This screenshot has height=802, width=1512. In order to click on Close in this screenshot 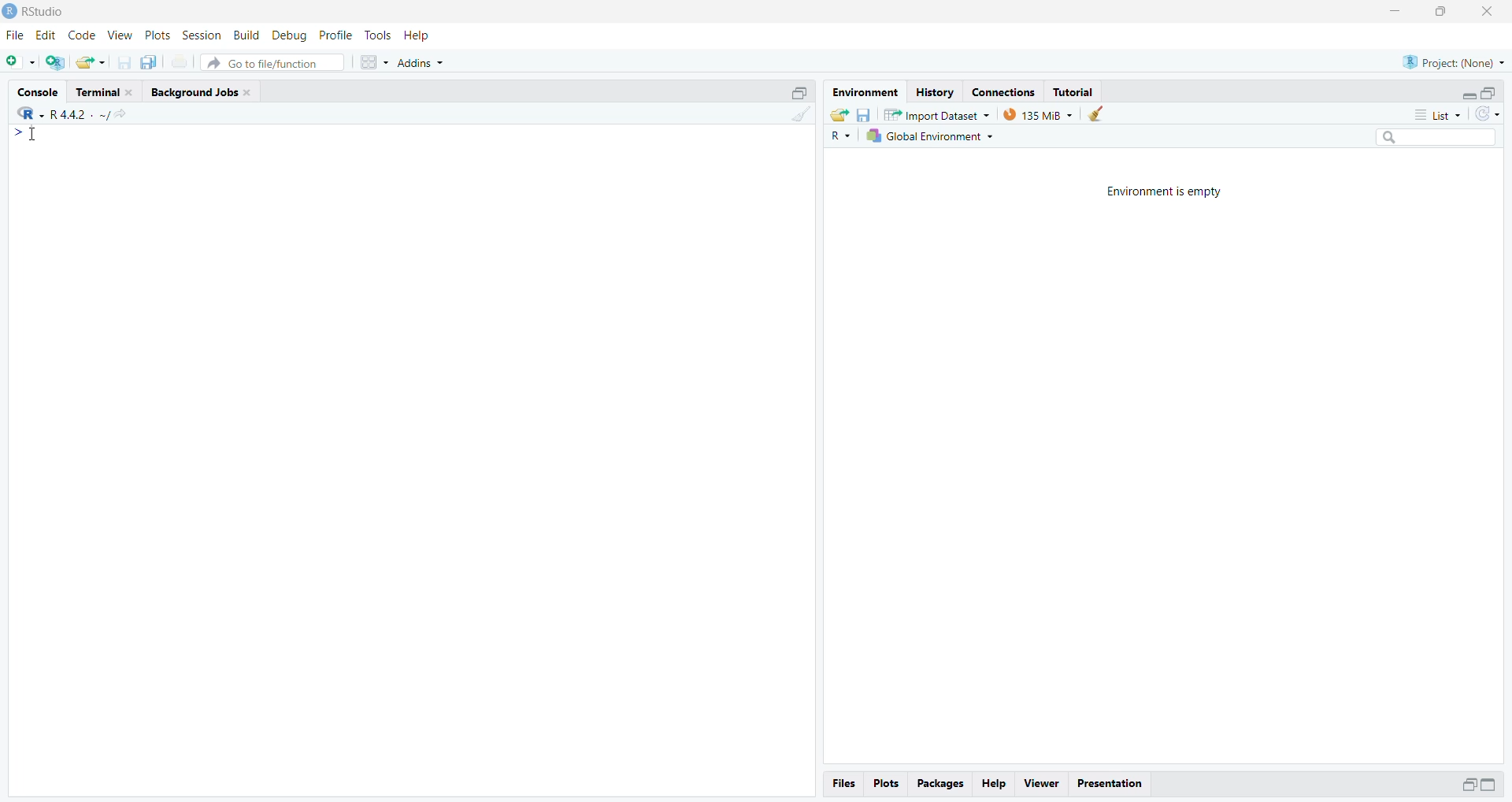, I will do `click(1488, 13)`.